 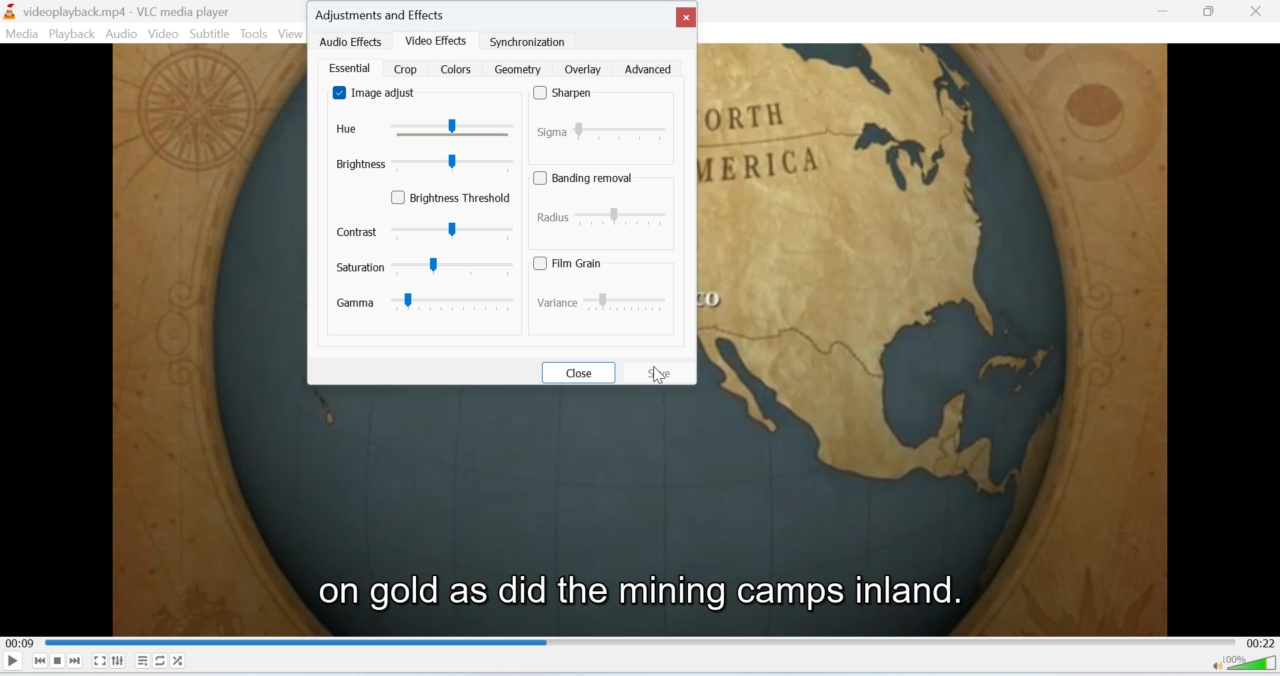 What do you see at coordinates (13, 660) in the screenshot?
I see `Play/Pause` at bounding box center [13, 660].